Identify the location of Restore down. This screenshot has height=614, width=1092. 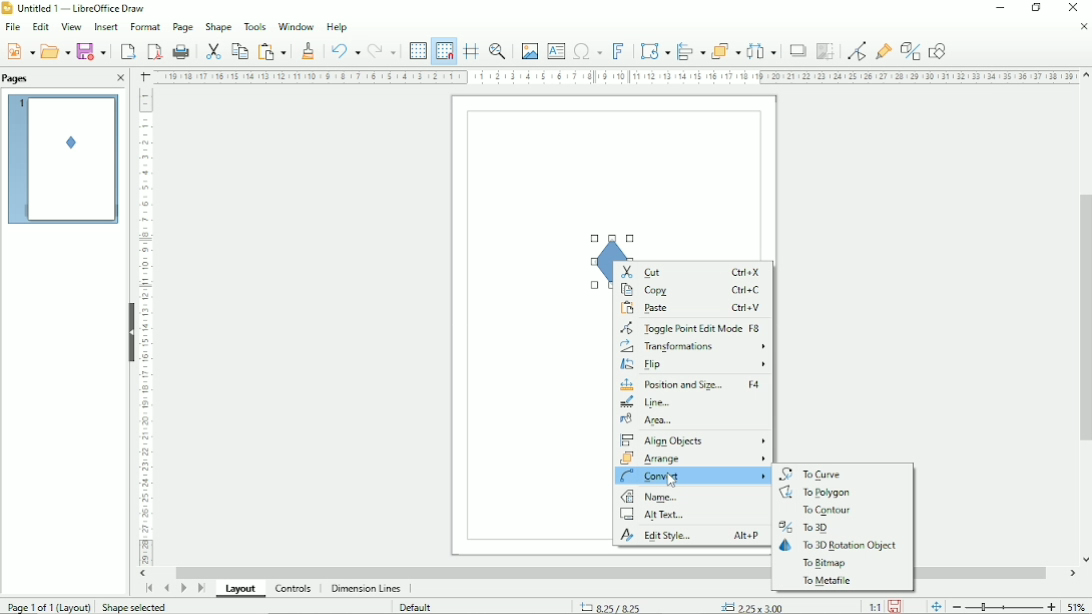
(1037, 8).